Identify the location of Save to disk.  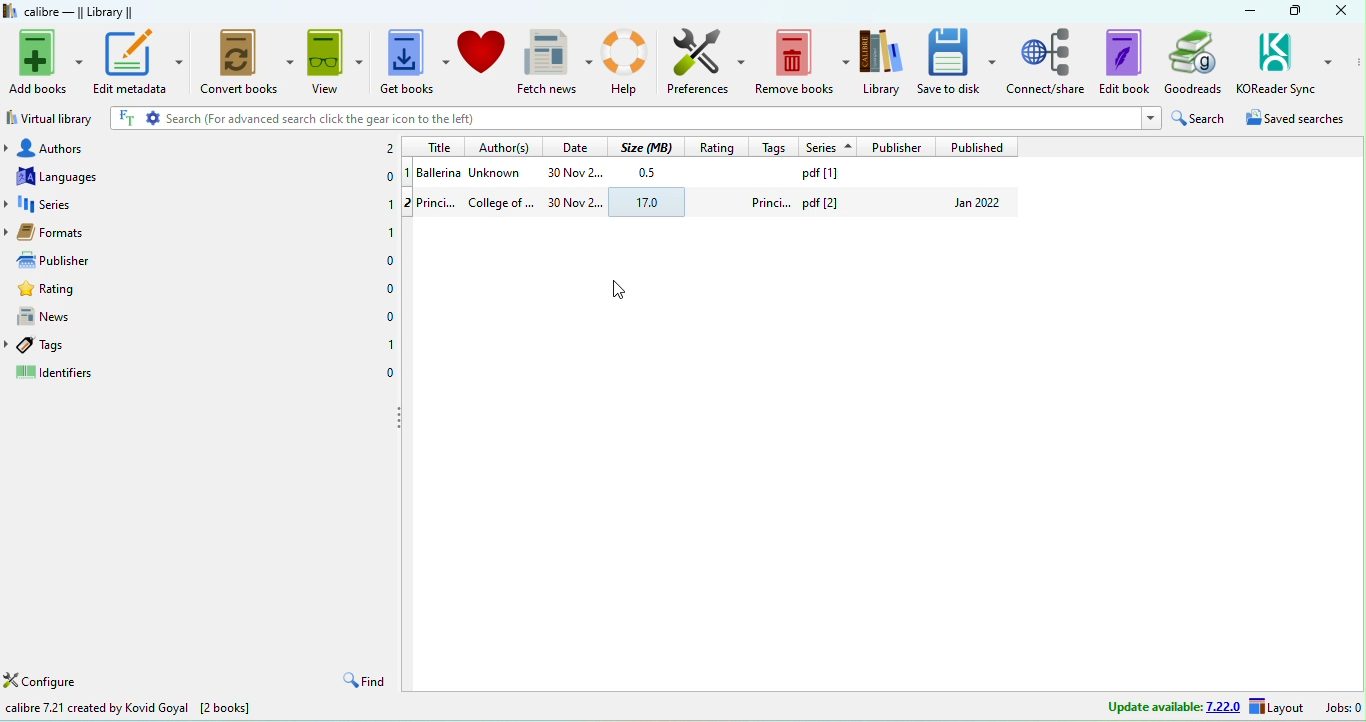
(958, 61).